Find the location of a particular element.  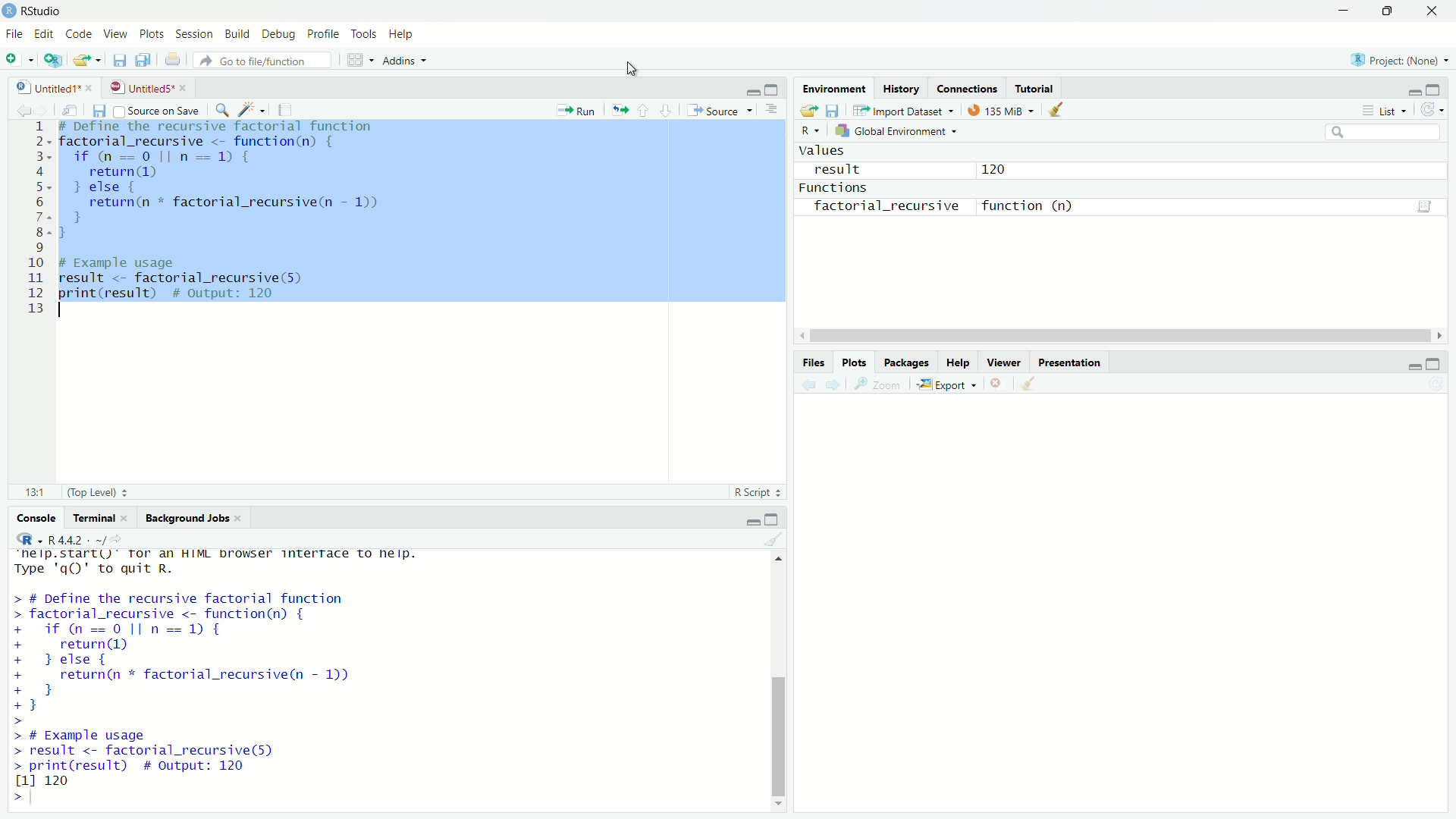

13:1 is located at coordinates (36, 490).